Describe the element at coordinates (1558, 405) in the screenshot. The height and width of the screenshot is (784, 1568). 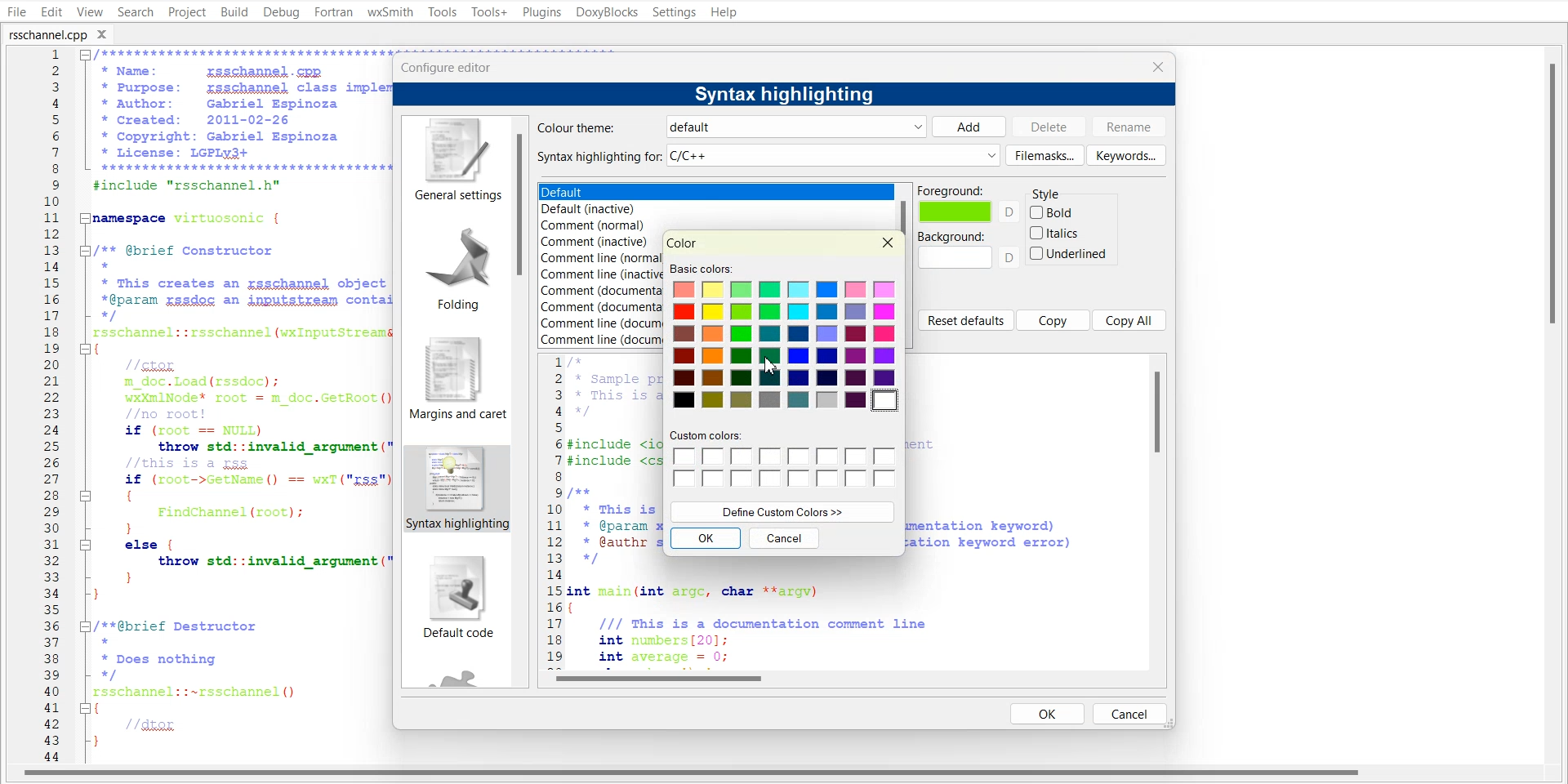
I see `Vertical Scroll bar` at that location.